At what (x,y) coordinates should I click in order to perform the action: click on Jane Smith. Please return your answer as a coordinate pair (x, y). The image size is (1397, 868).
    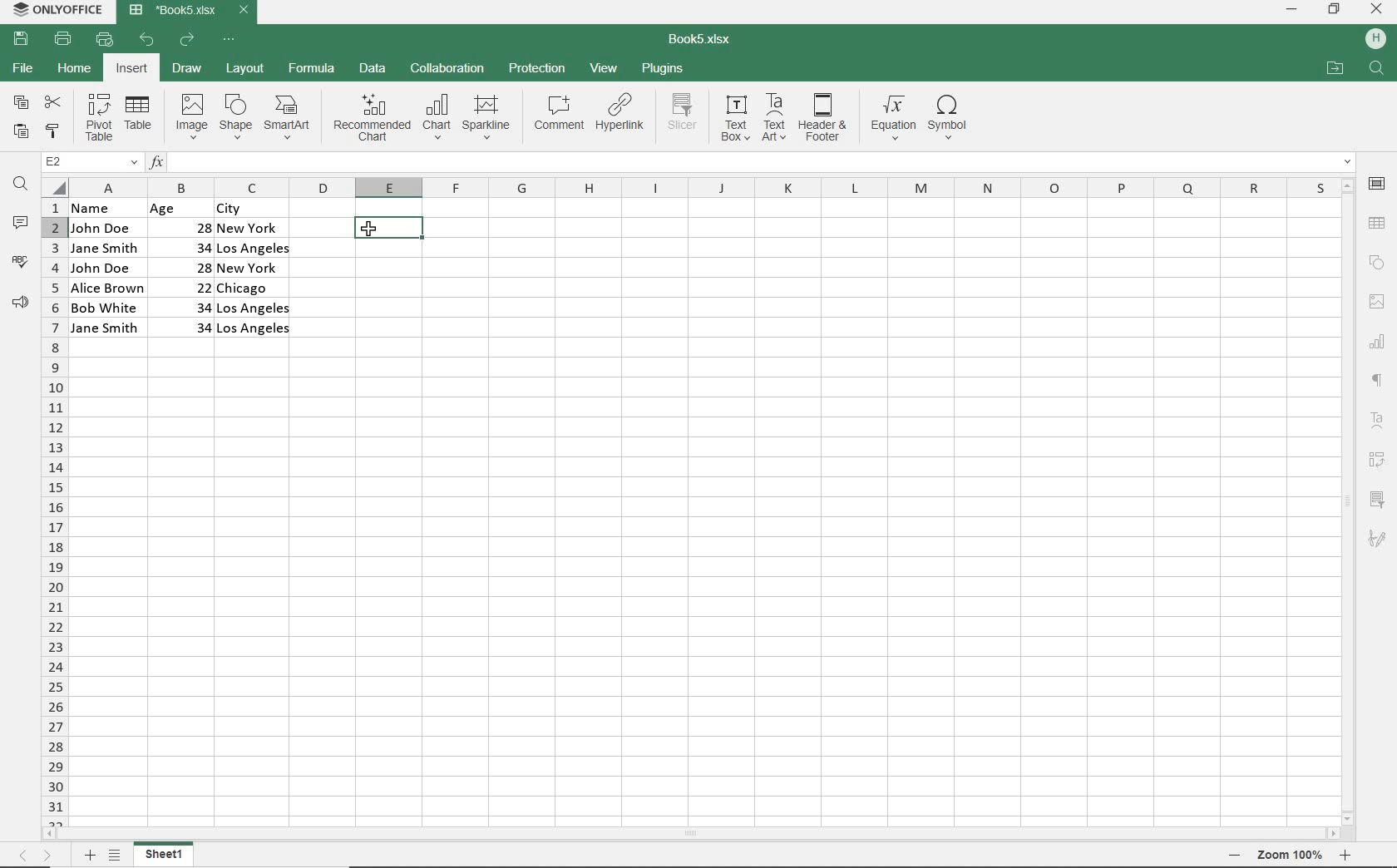
    Looking at the image, I should click on (103, 248).